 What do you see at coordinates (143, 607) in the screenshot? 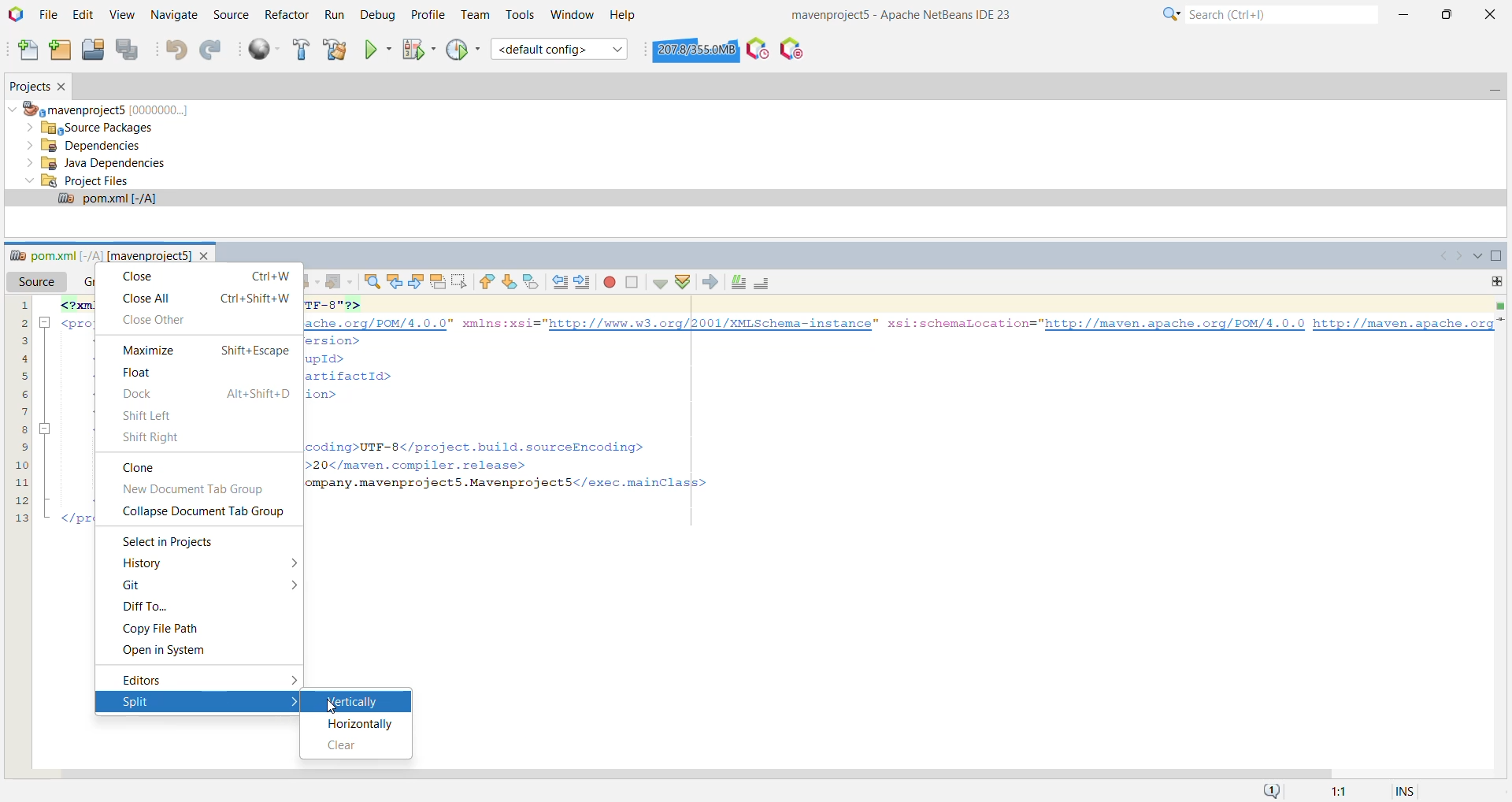
I see `Diff To` at bounding box center [143, 607].